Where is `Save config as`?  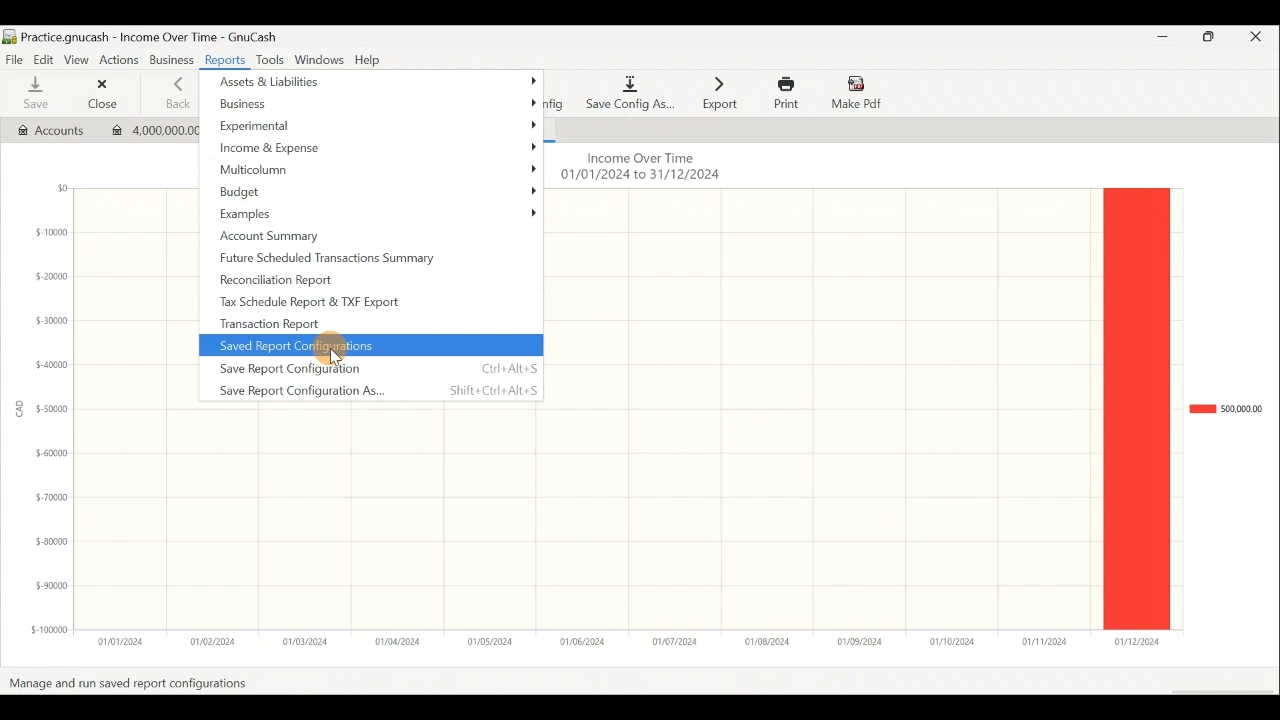
Save config as is located at coordinates (630, 90).